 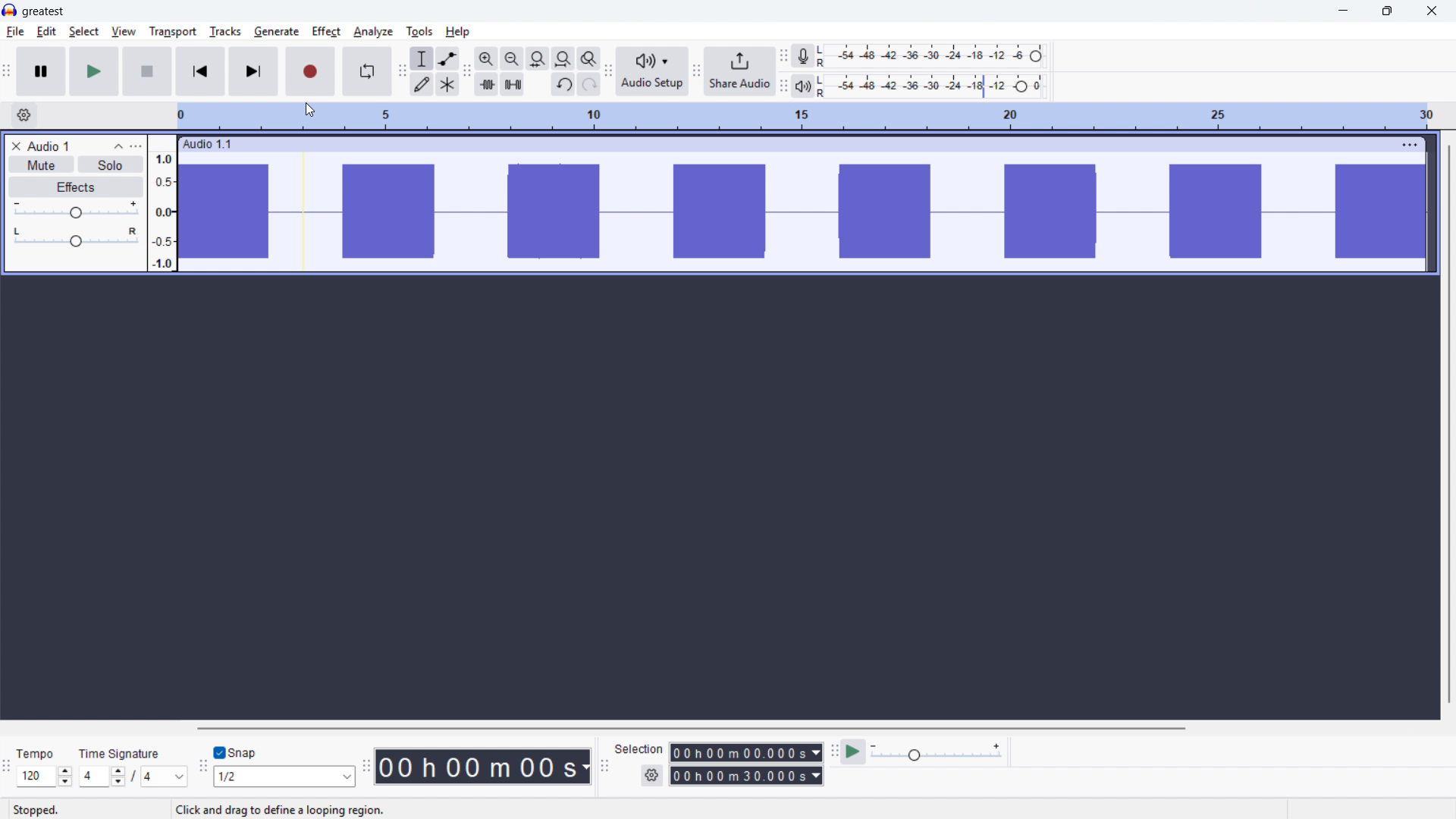 I want to click on fit project to width, so click(x=563, y=58).